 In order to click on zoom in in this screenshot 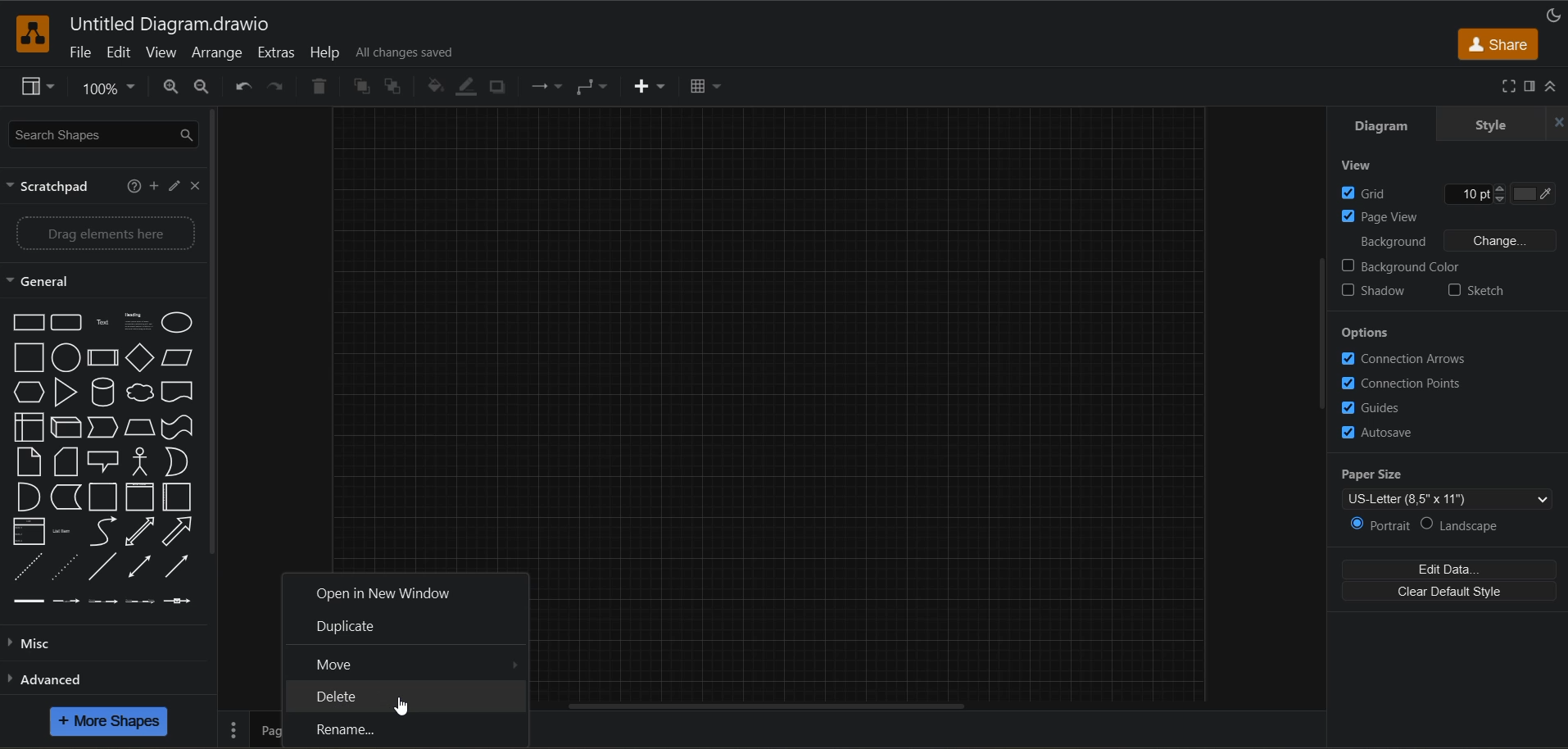, I will do `click(172, 88)`.